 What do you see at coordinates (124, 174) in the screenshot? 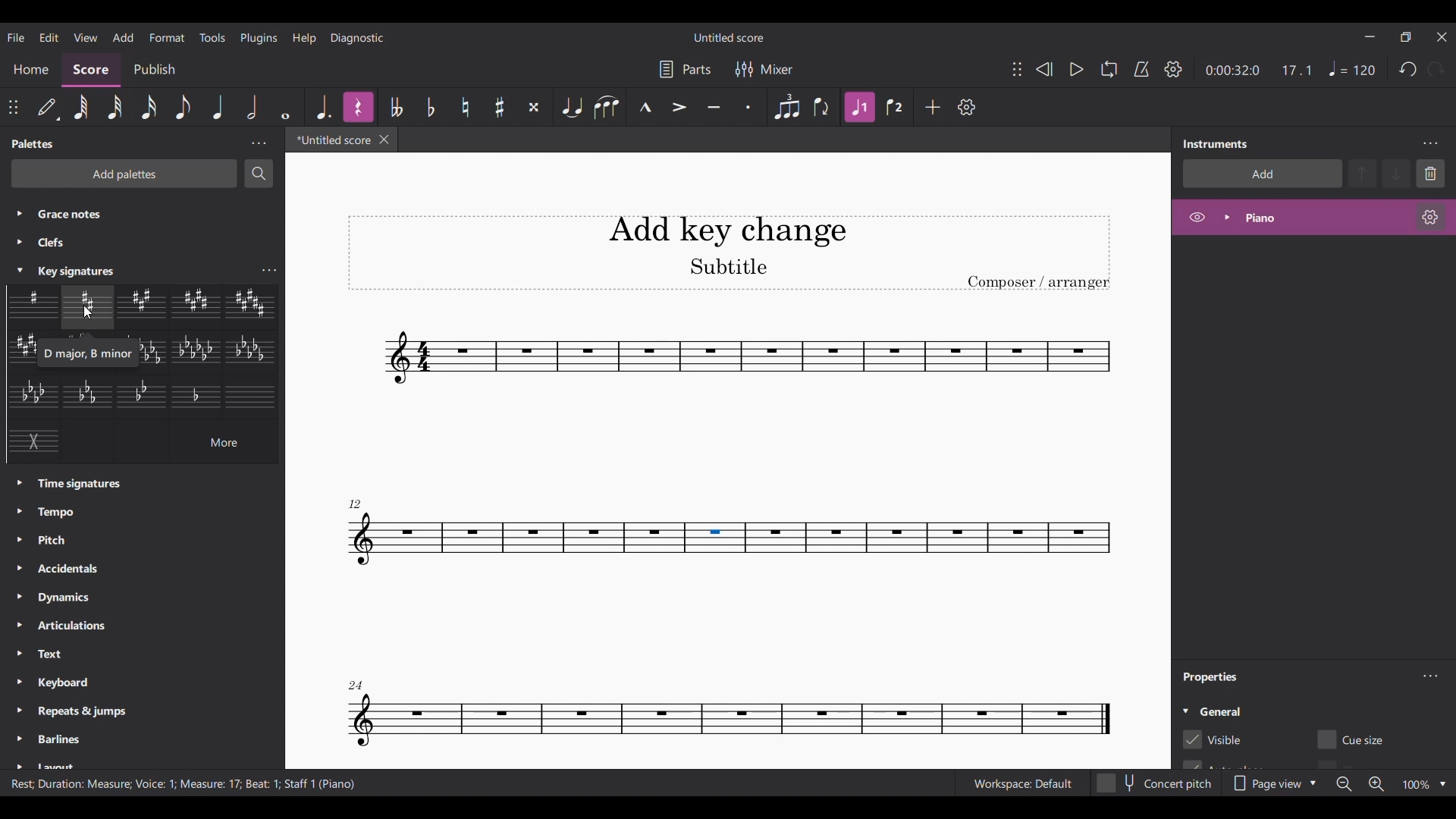
I see `Add palettes` at bounding box center [124, 174].